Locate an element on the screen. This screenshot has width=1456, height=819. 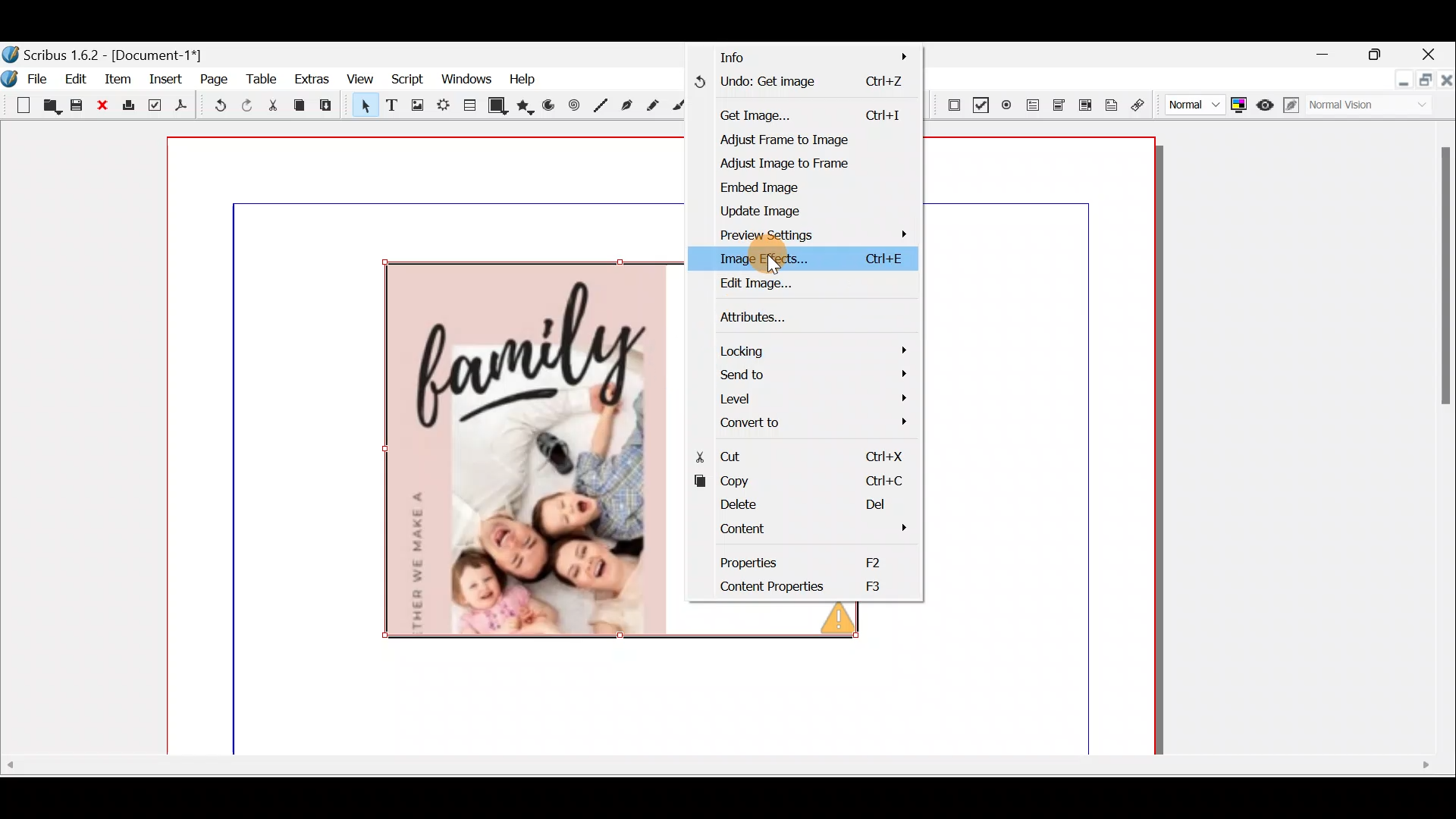
Line is located at coordinates (601, 106).